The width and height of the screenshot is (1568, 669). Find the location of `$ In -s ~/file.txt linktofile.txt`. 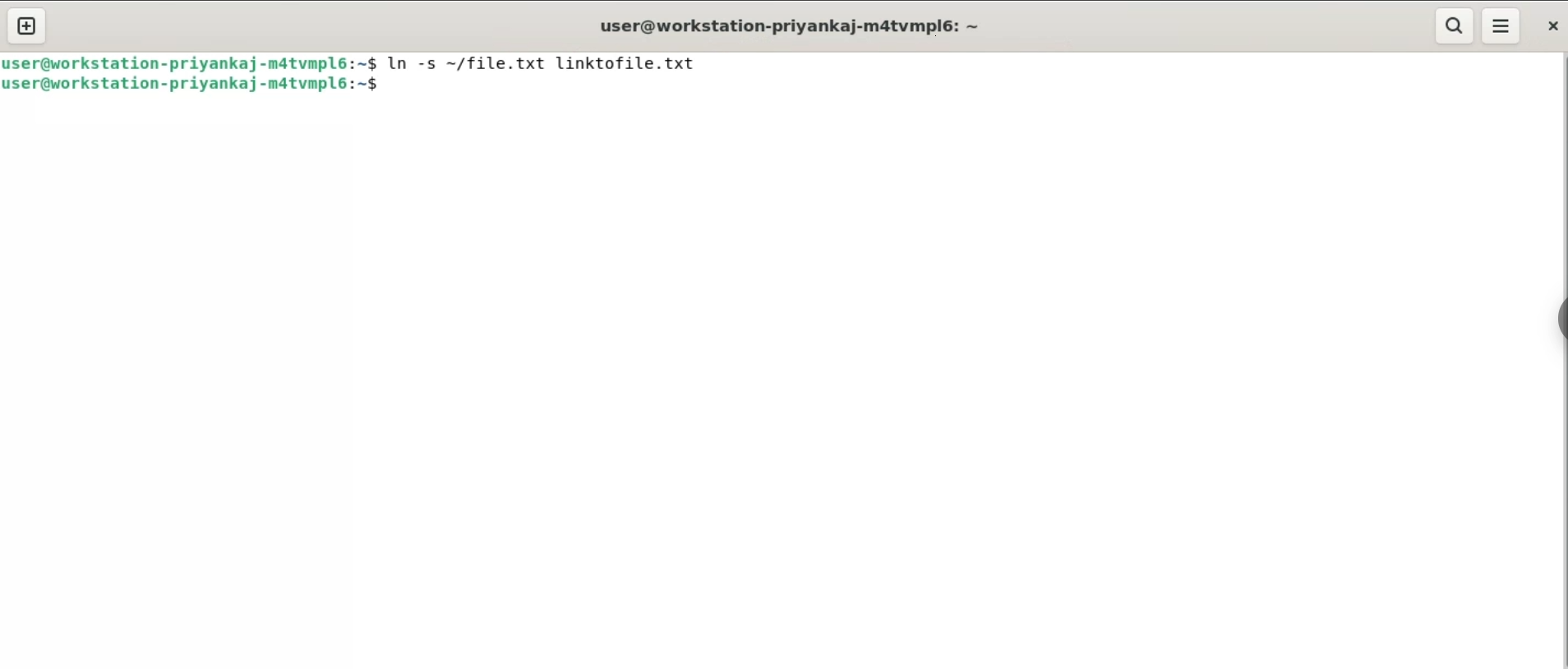

$ In -s ~/file.txt linktofile.txt is located at coordinates (533, 62).